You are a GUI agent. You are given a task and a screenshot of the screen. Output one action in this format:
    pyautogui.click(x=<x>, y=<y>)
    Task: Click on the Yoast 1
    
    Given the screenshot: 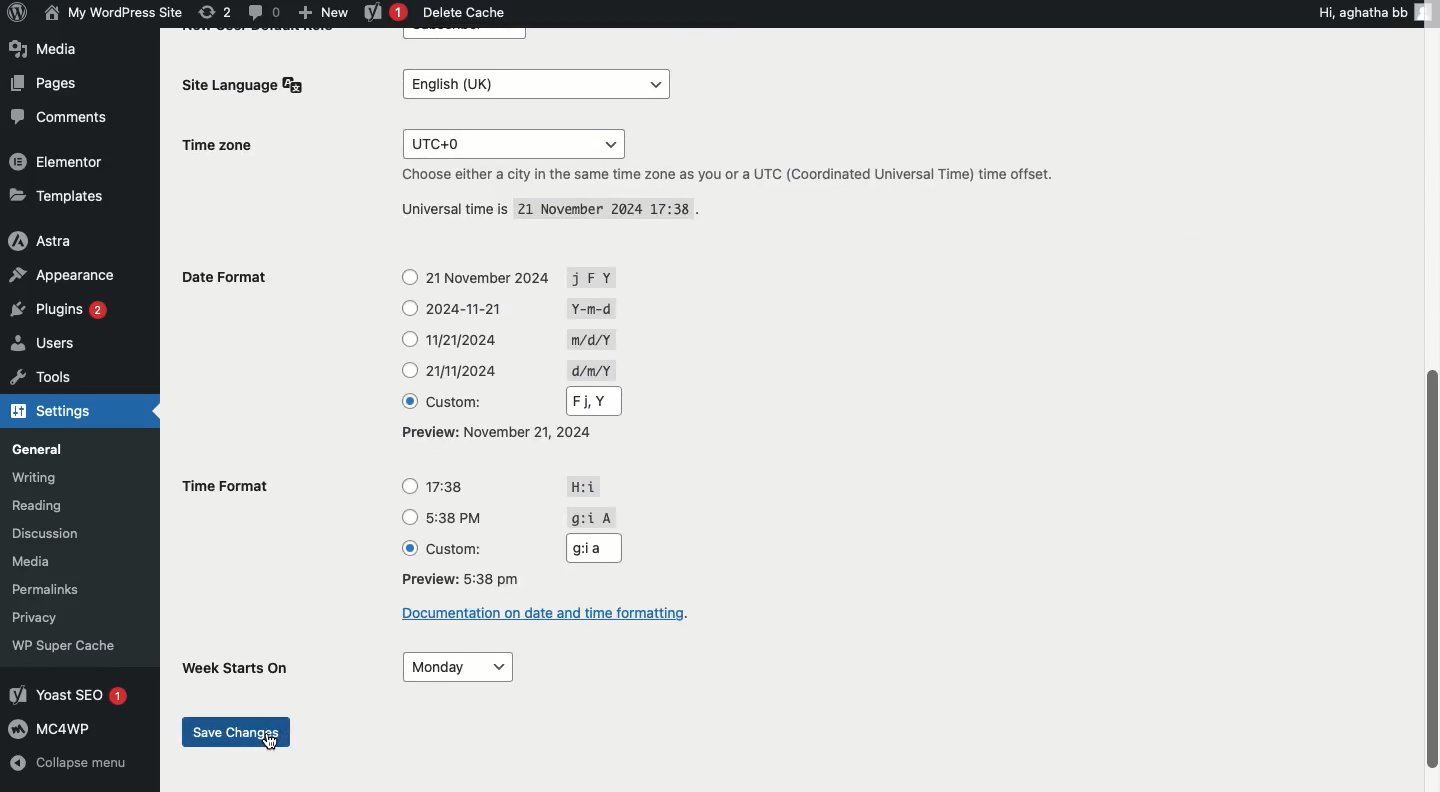 What is the action you would take?
    pyautogui.click(x=383, y=13)
    